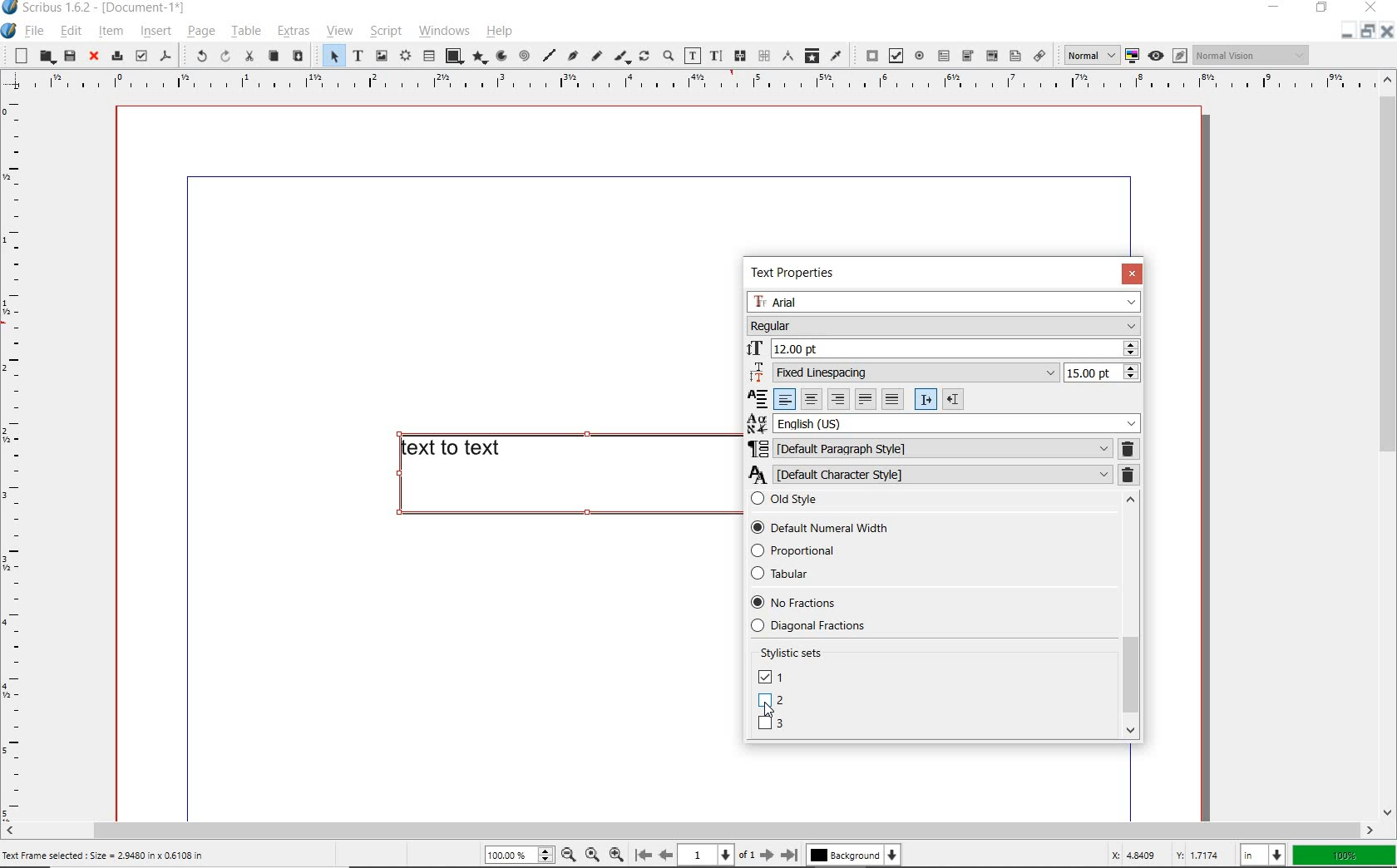 This screenshot has height=868, width=1397. I want to click on Right align, so click(837, 400).